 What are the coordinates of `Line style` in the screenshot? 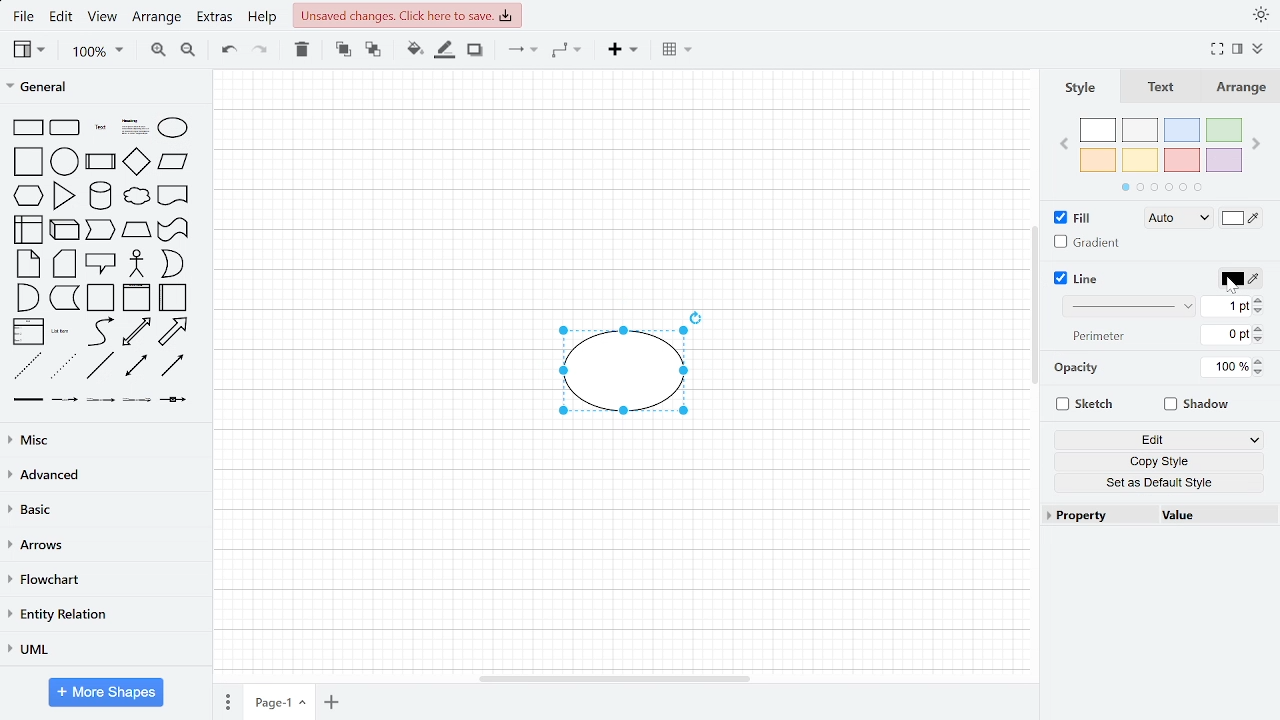 It's located at (1126, 307).